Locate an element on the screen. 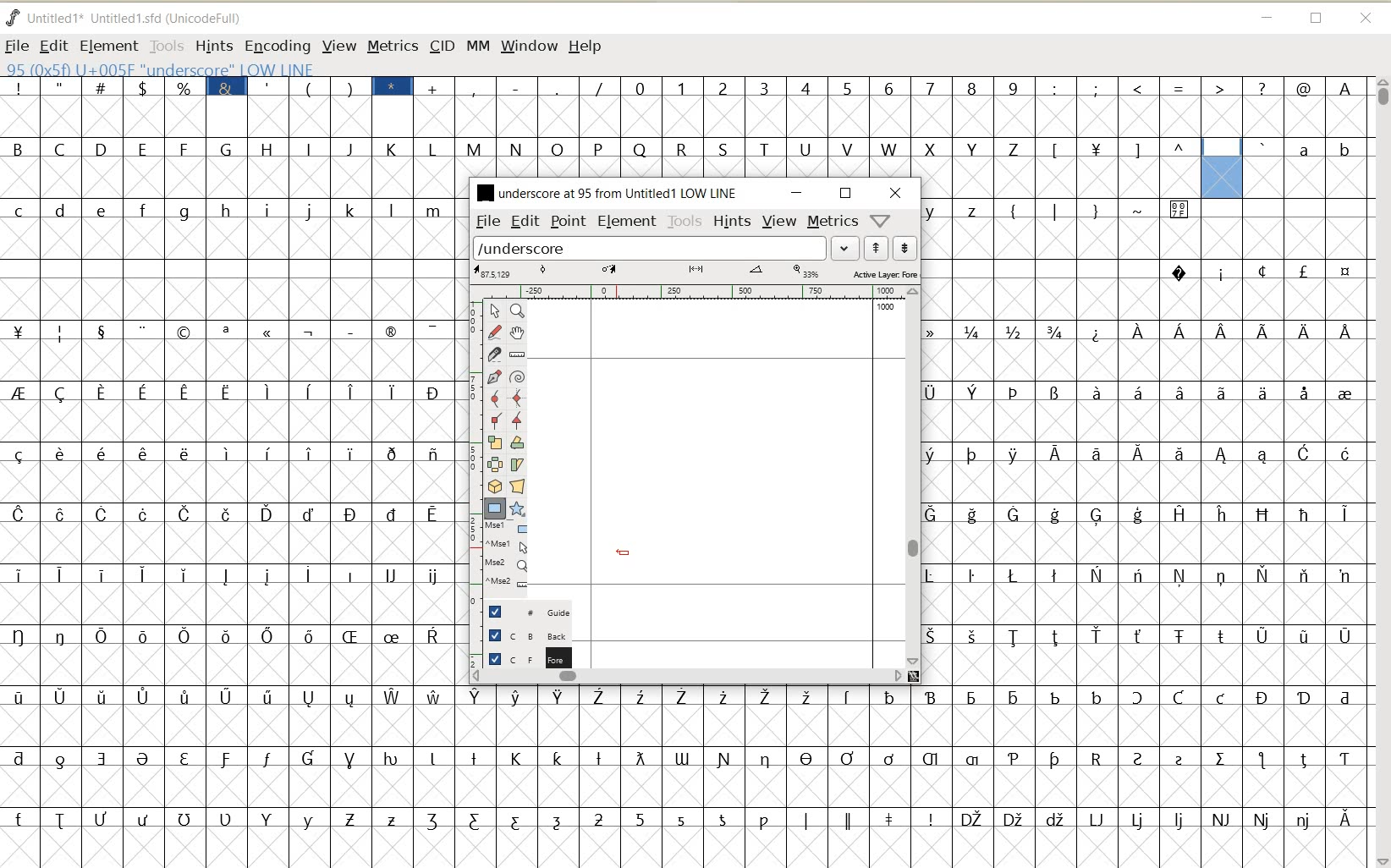 Image resolution: width=1391 pixels, height=868 pixels. CLOSE is located at coordinates (896, 193).